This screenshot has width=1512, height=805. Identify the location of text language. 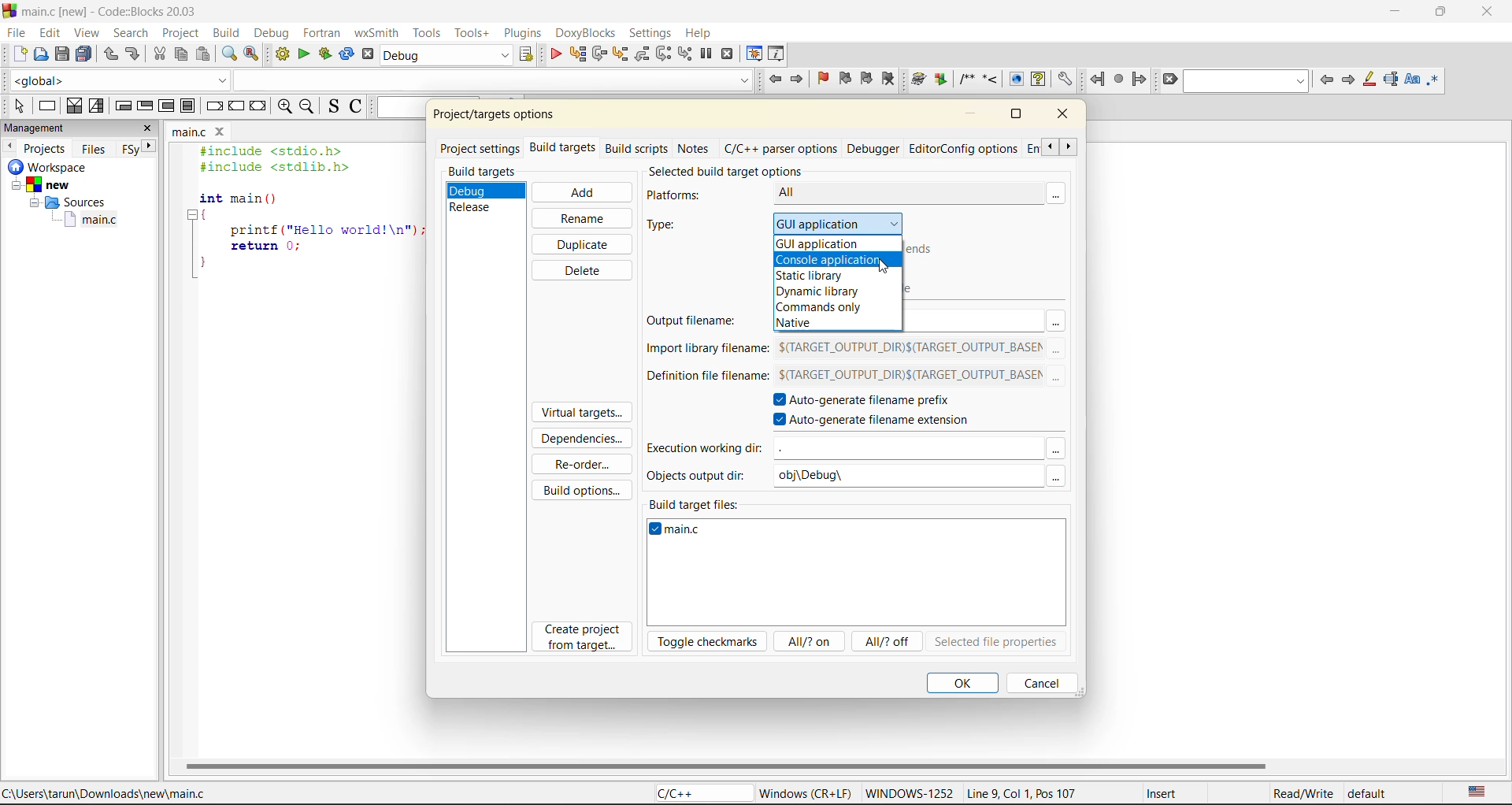
(1480, 792).